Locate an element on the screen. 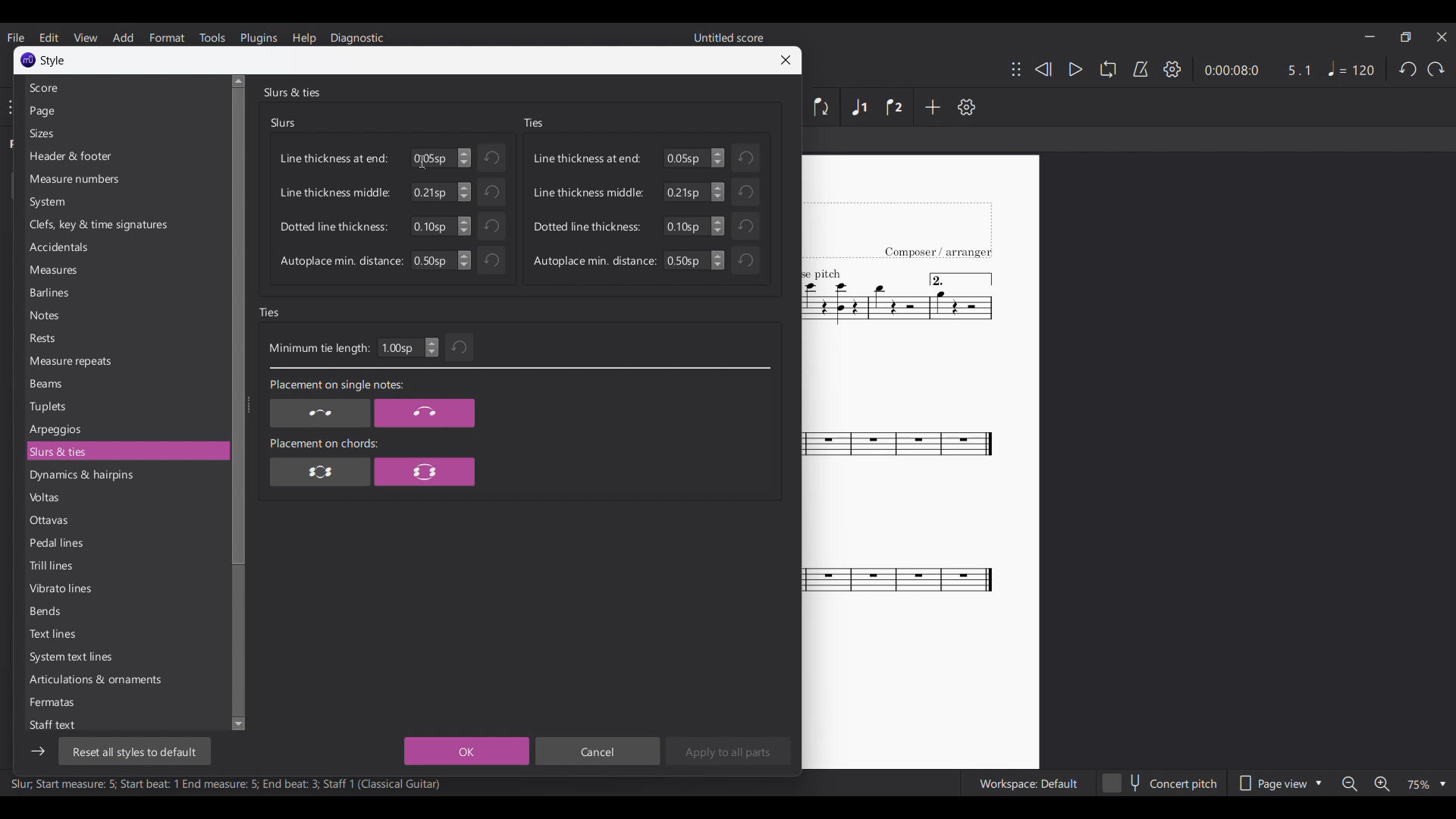 Image resolution: width=1456 pixels, height=819 pixels. Undo is located at coordinates (745, 158).